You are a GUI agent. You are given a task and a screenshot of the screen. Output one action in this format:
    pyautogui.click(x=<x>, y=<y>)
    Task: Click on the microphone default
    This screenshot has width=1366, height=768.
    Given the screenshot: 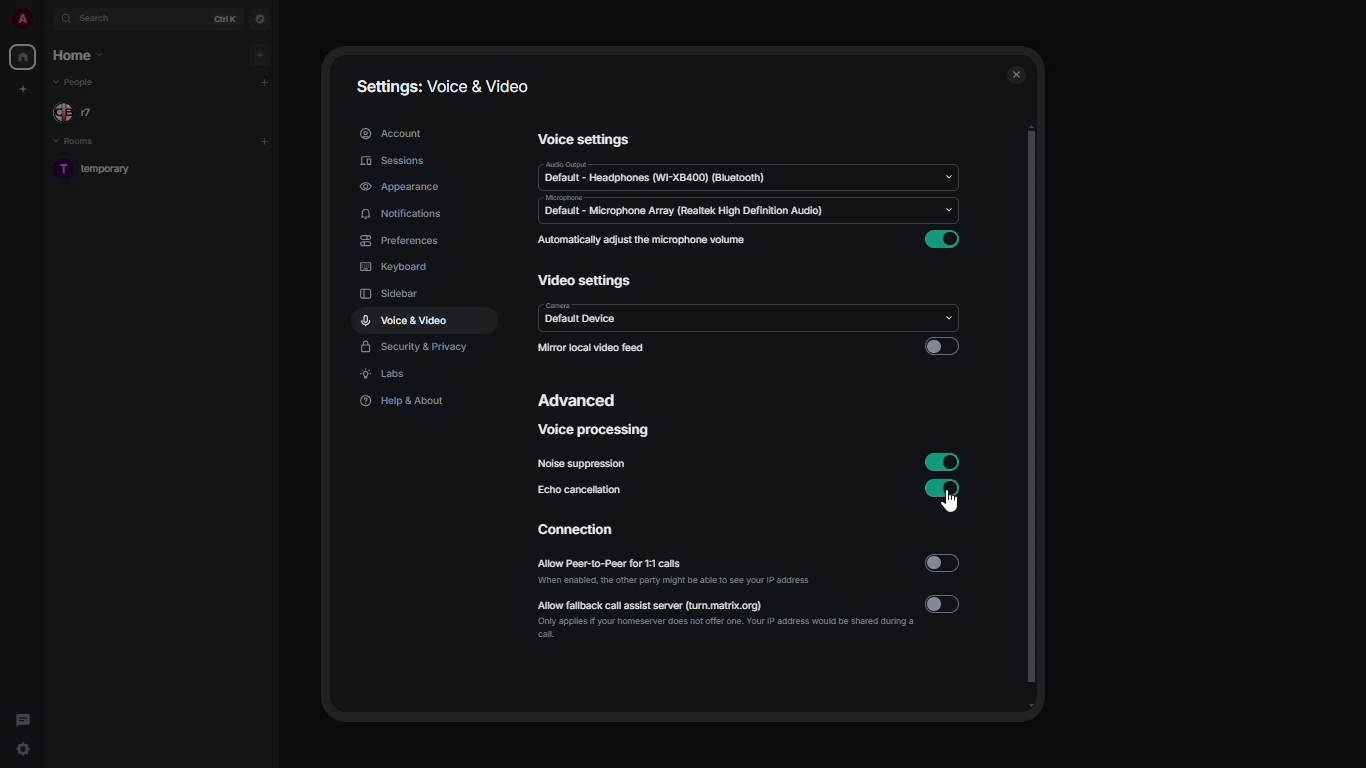 What is the action you would take?
    pyautogui.click(x=685, y=208)
    